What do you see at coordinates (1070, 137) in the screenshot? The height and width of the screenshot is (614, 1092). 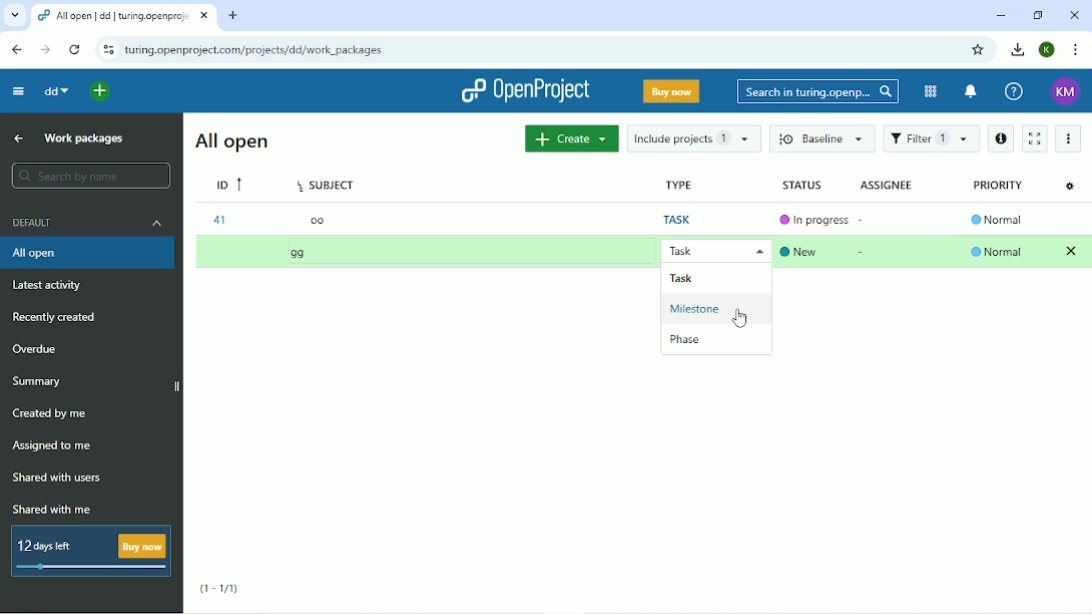 I see `More actions` at bounding box center [1070, 137].